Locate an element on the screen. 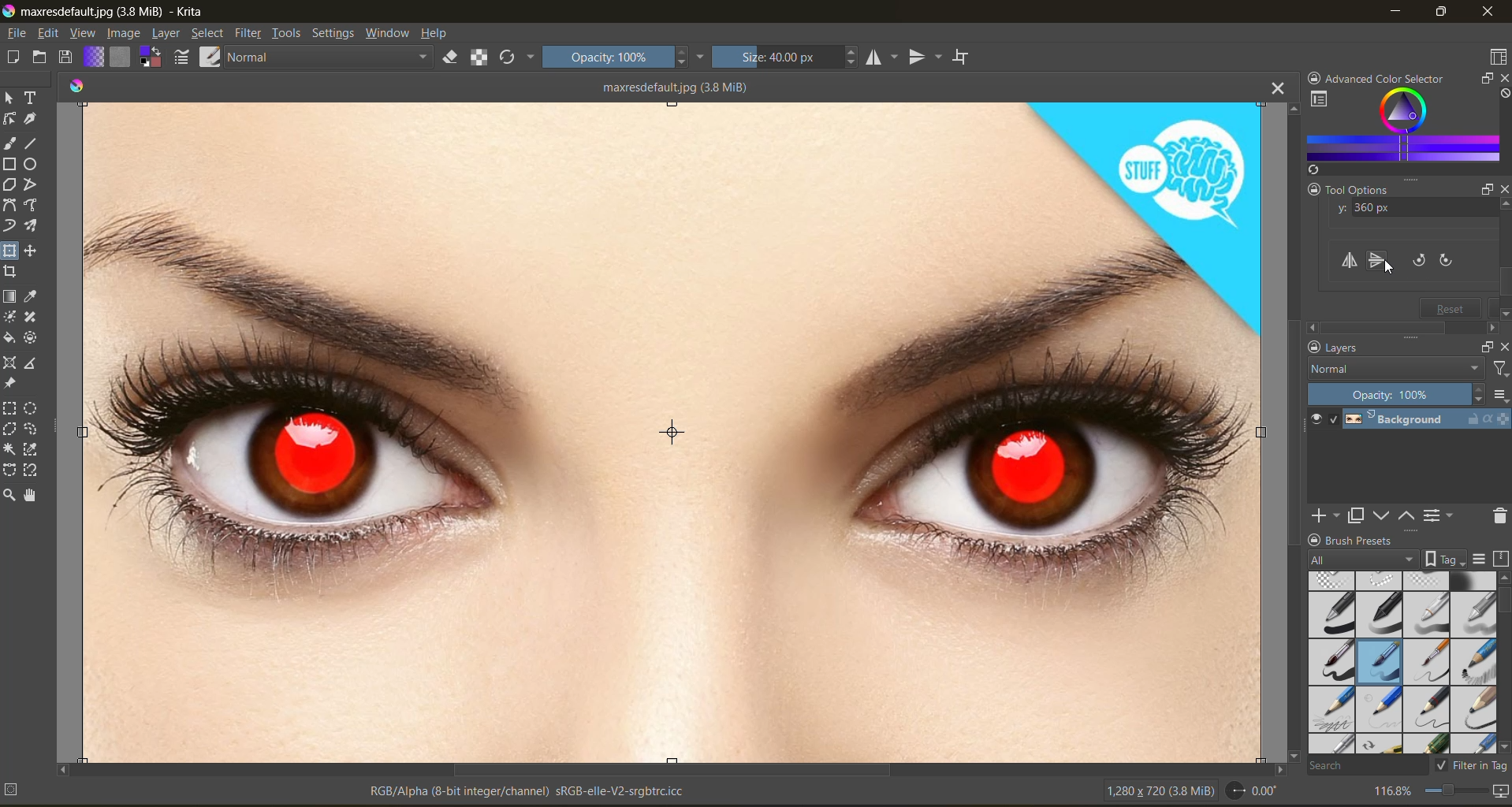 Image resolution: width=1512 pixels, height=807 pixels. tool is located at coordinates (32, 98).